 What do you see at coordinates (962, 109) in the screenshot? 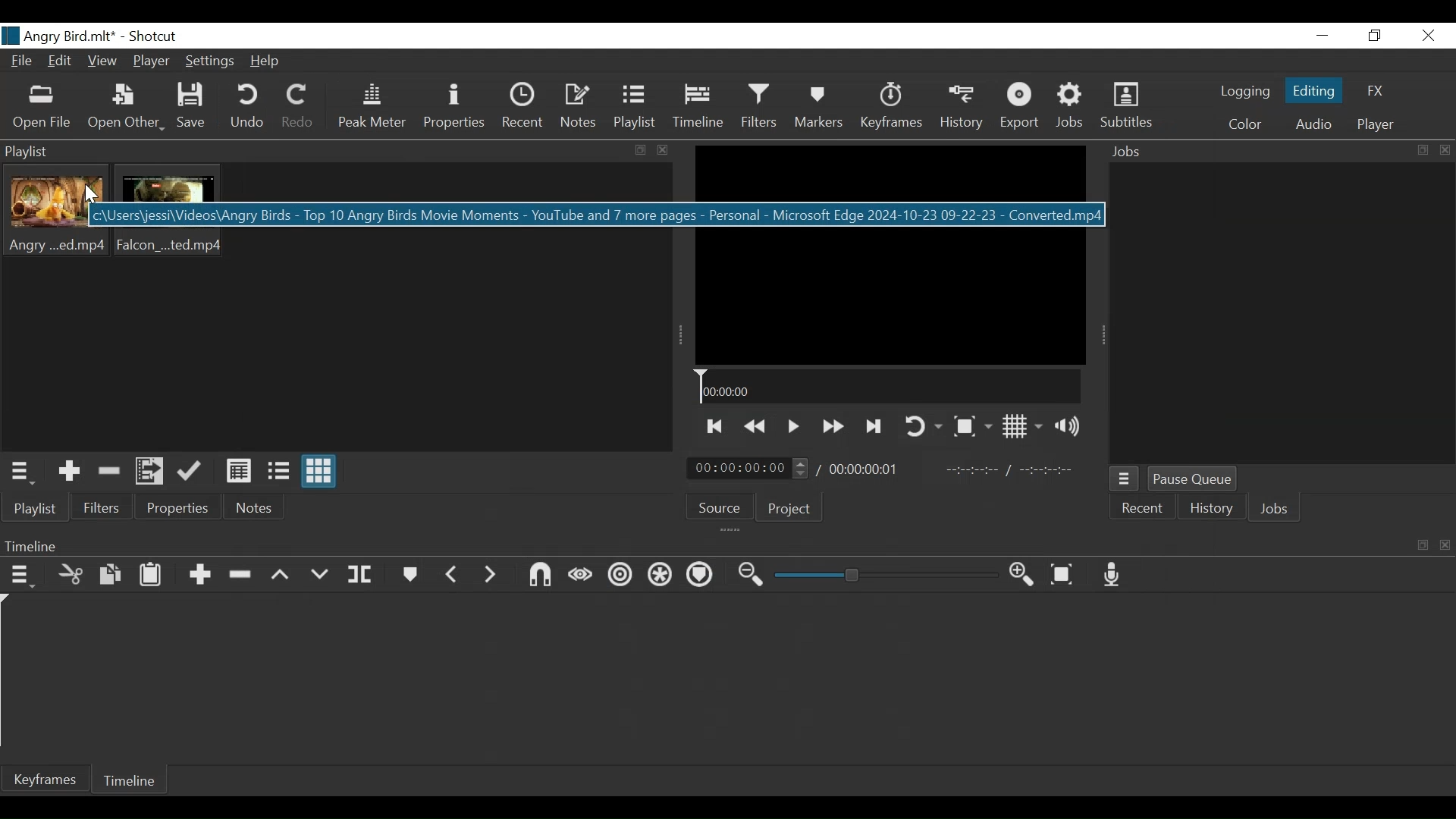
I see `History` at bounding box center [962, 109].